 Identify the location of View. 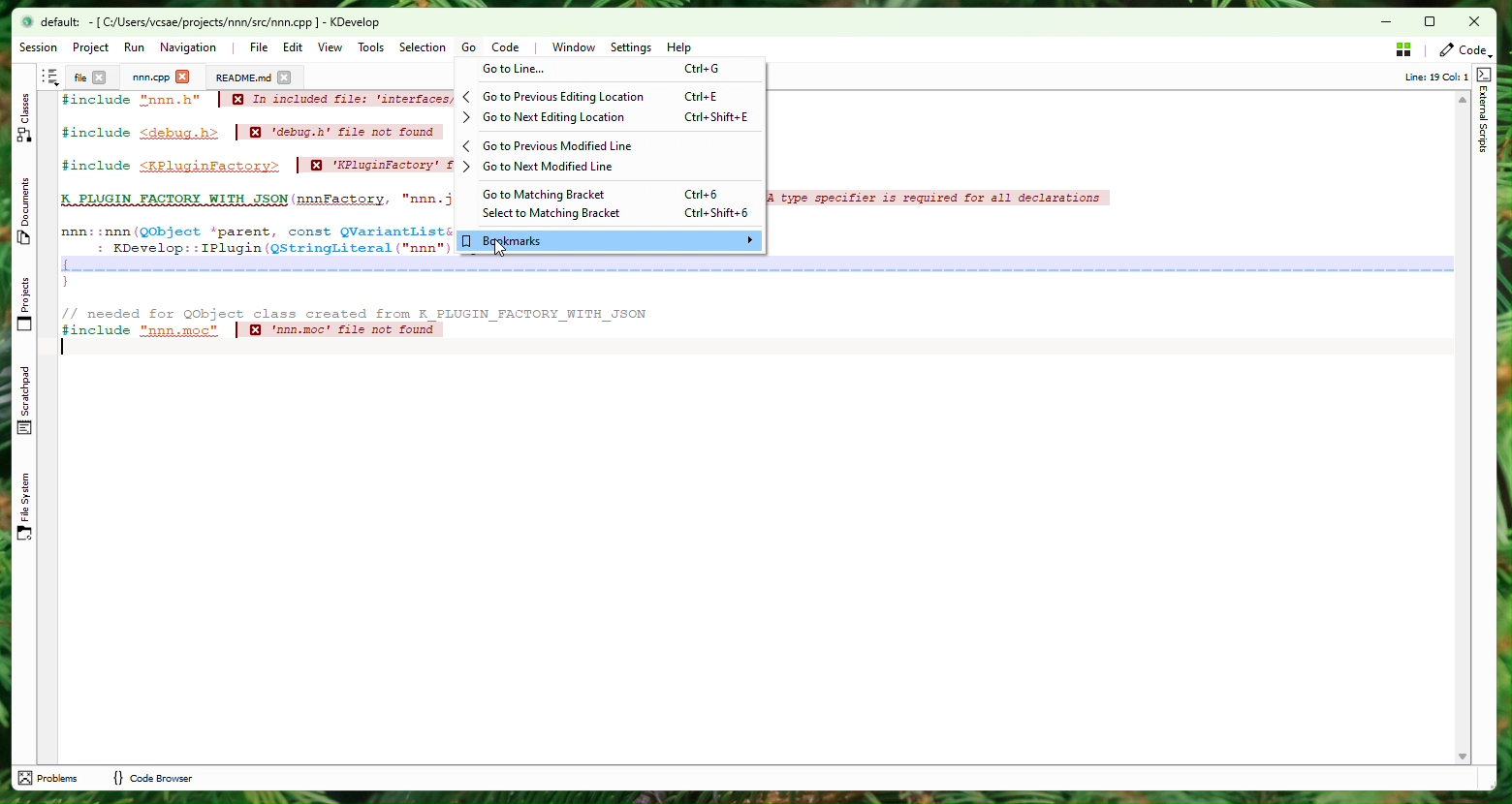
(331, 47).